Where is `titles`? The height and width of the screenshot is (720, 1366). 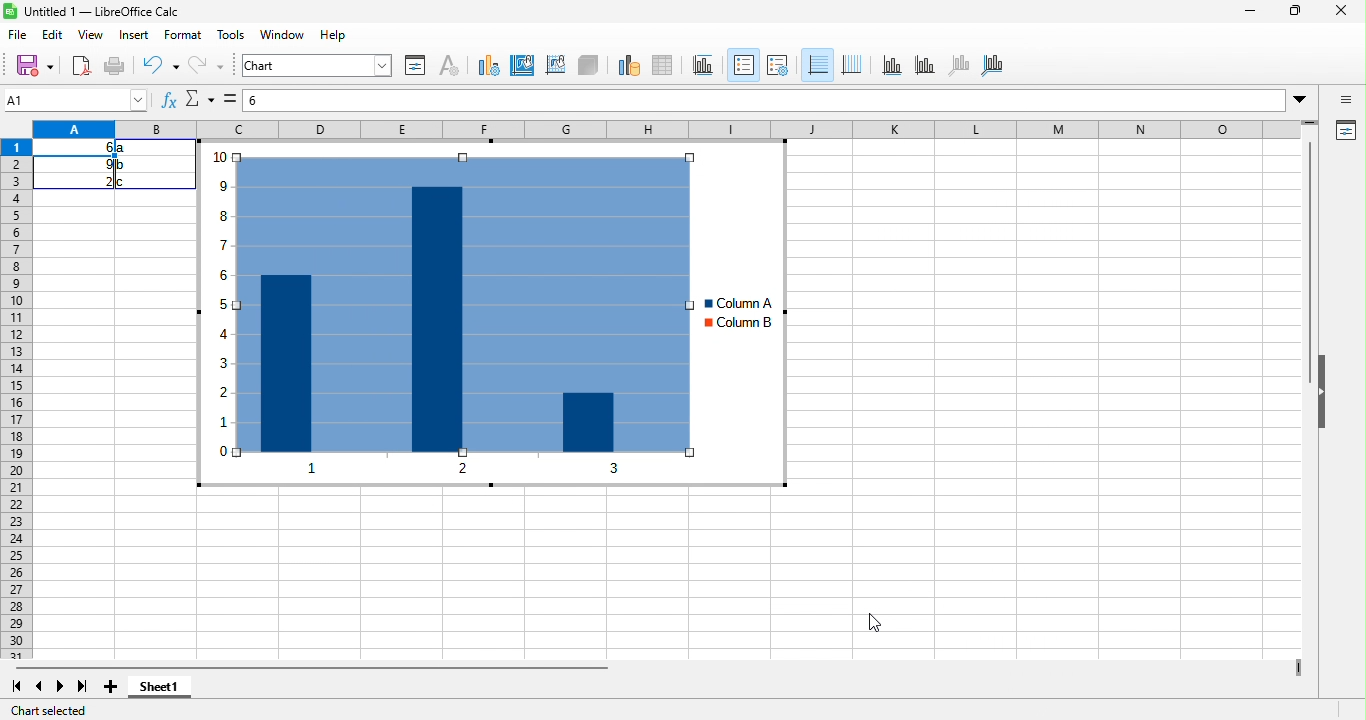 titles is located at coordinates (700, 65).